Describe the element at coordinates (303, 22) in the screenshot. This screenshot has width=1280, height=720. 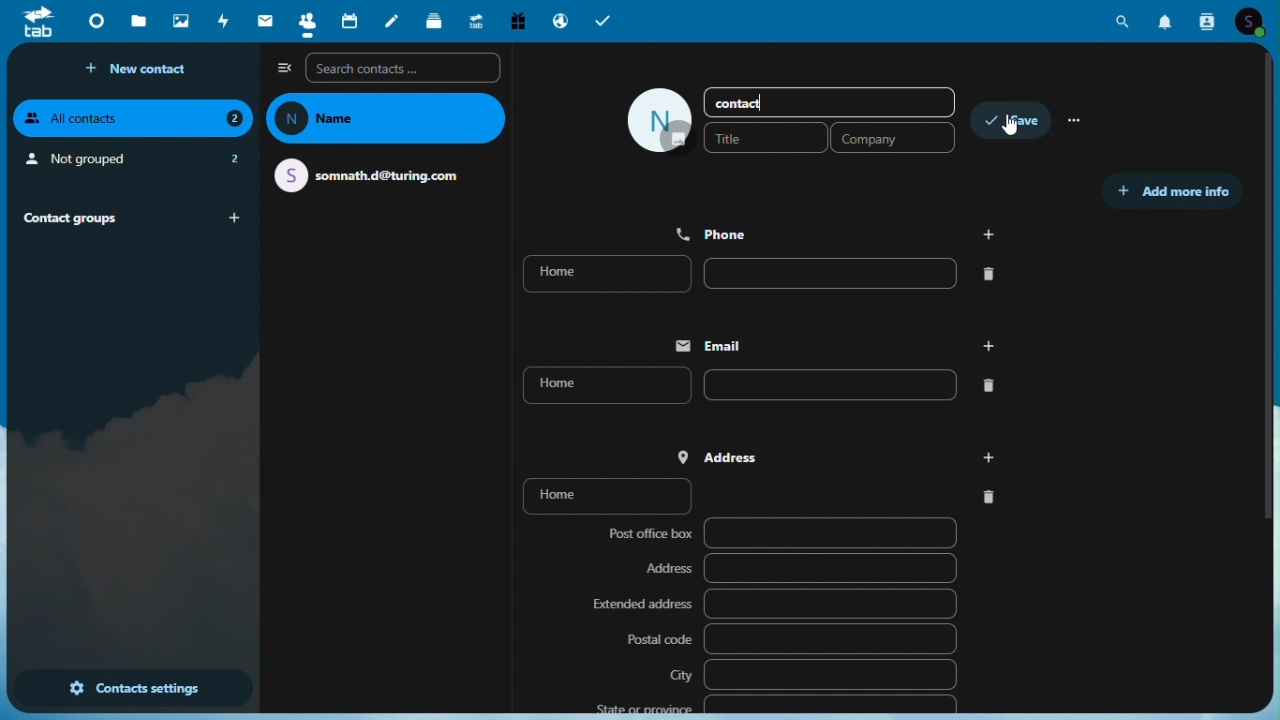
I see `Contacts` at that location.